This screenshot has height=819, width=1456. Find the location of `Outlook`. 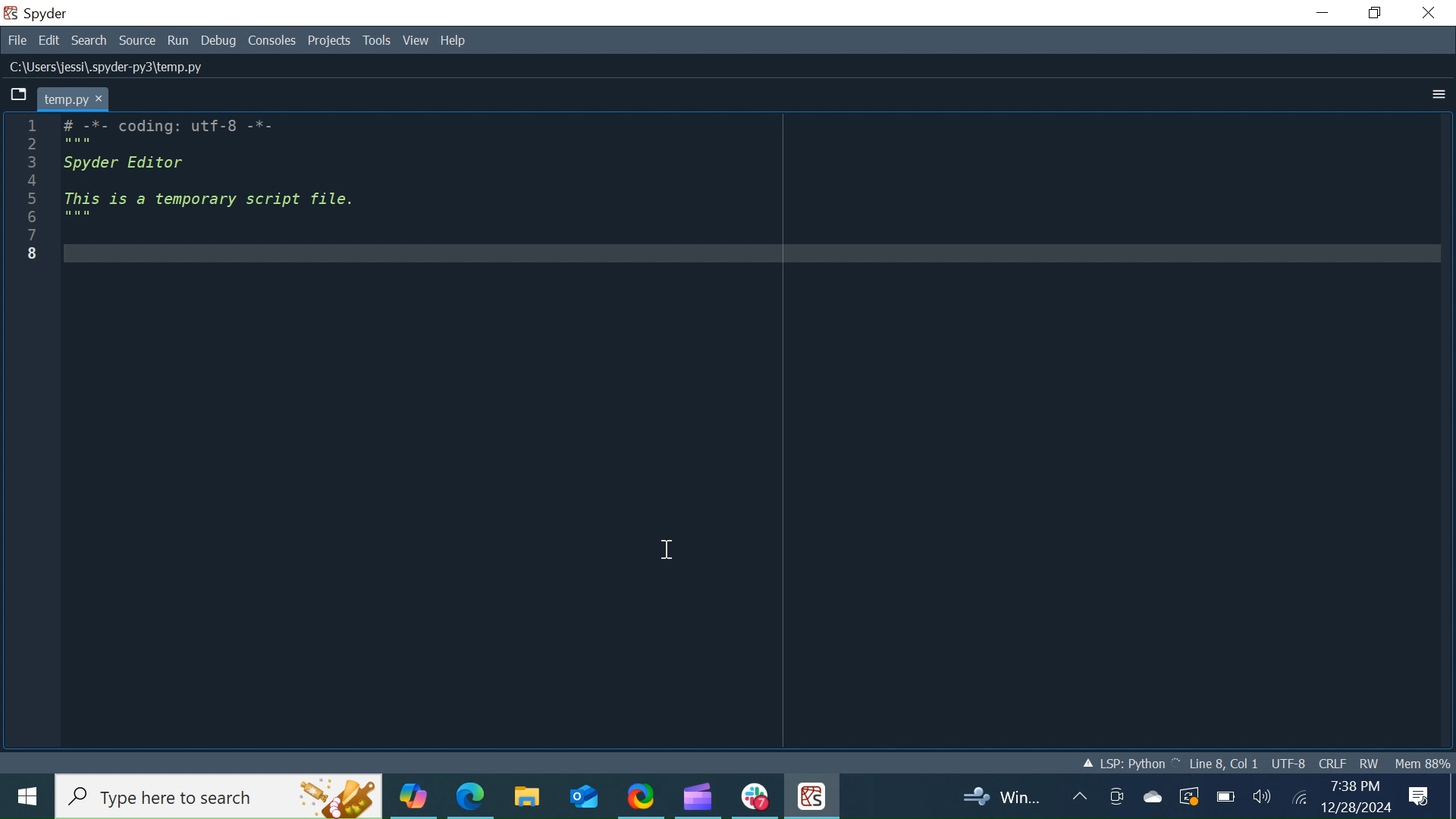

Outlook is located at coordinates (583, 796).